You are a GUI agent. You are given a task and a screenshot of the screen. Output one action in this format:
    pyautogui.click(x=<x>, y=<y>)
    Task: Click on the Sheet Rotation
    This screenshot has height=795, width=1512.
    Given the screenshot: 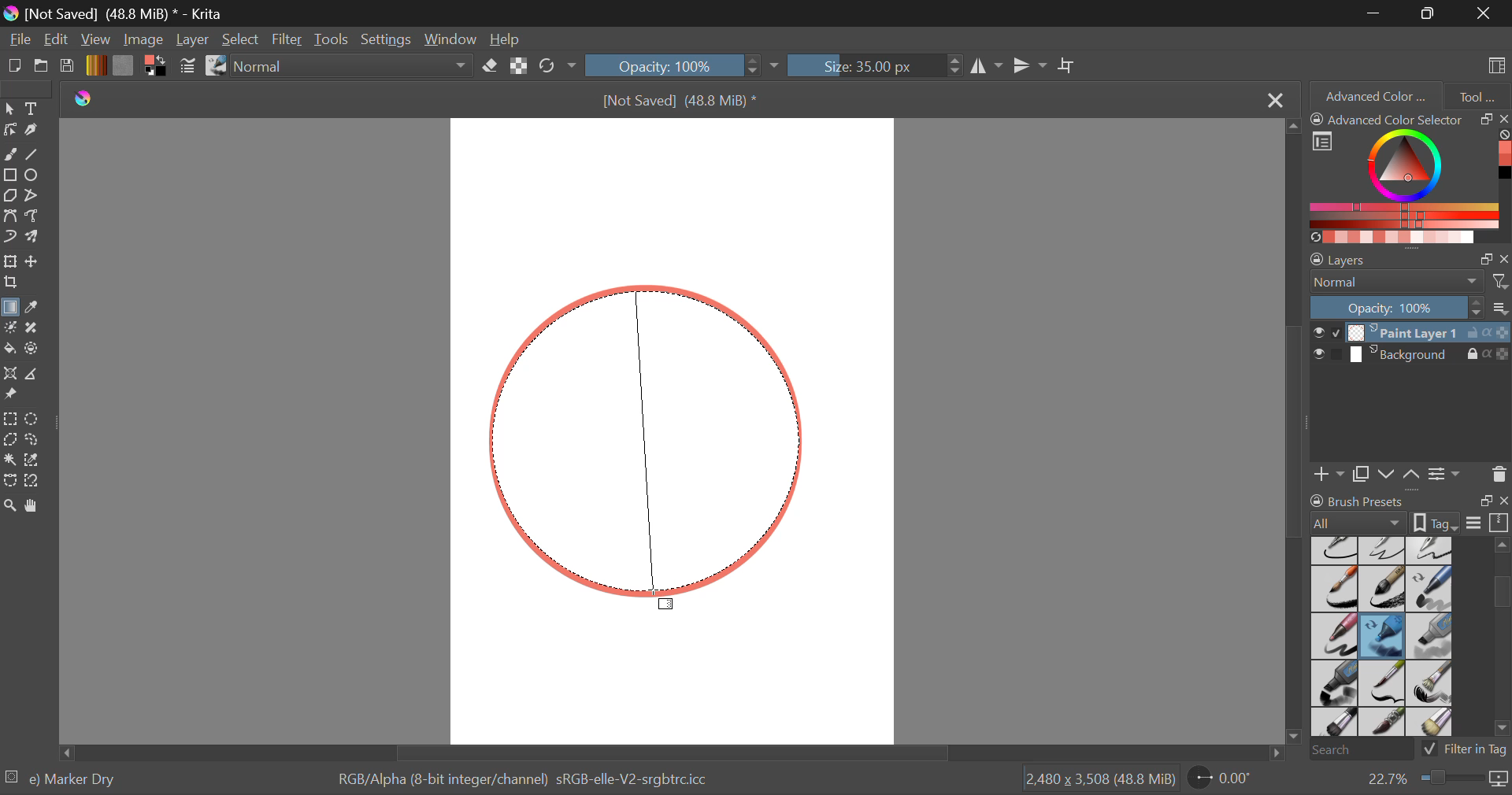 What is the action you would take?
    pyautogui.click(x=1228, y=778)
    